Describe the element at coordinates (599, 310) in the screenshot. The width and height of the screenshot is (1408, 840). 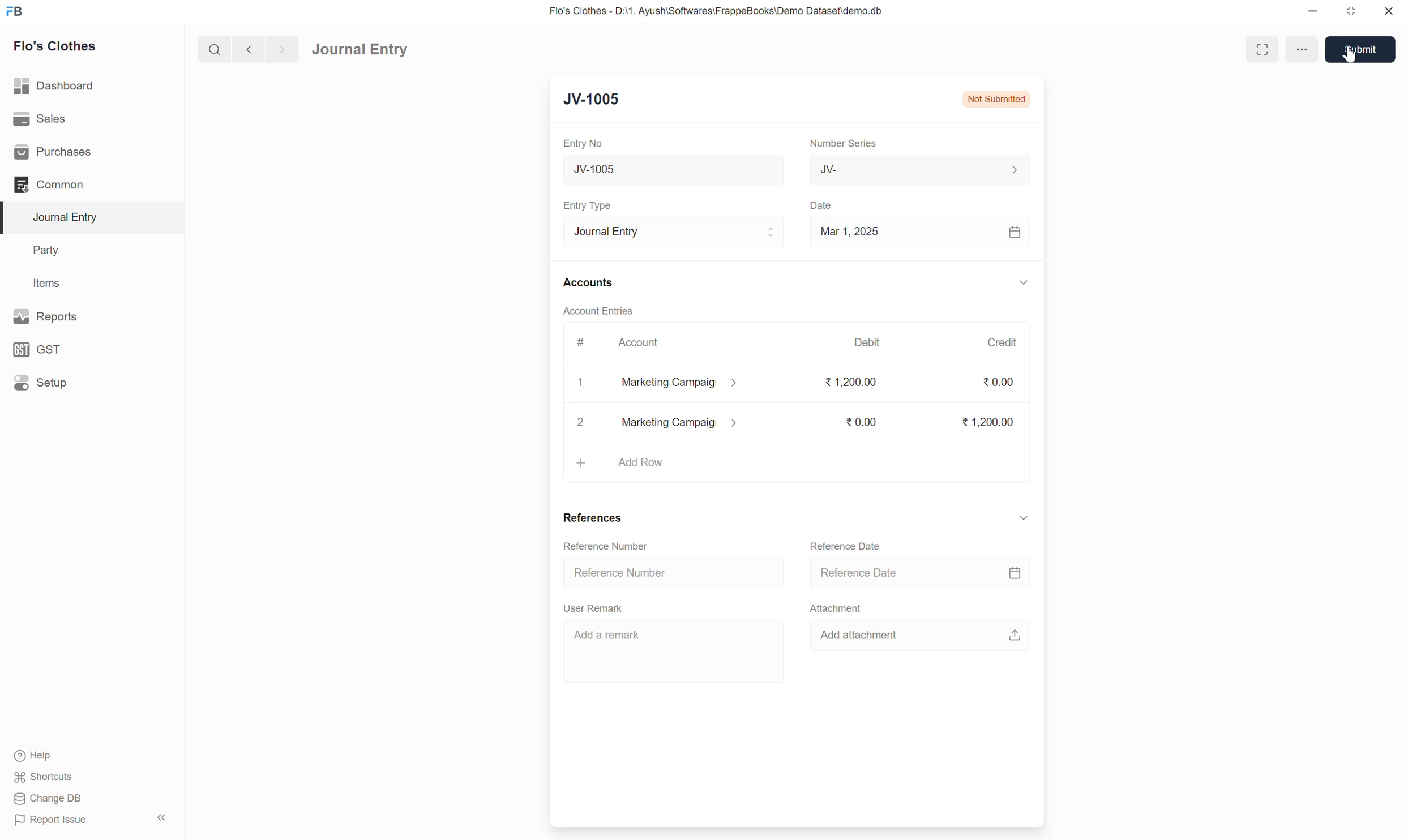
I see `Account Entries` at that location.